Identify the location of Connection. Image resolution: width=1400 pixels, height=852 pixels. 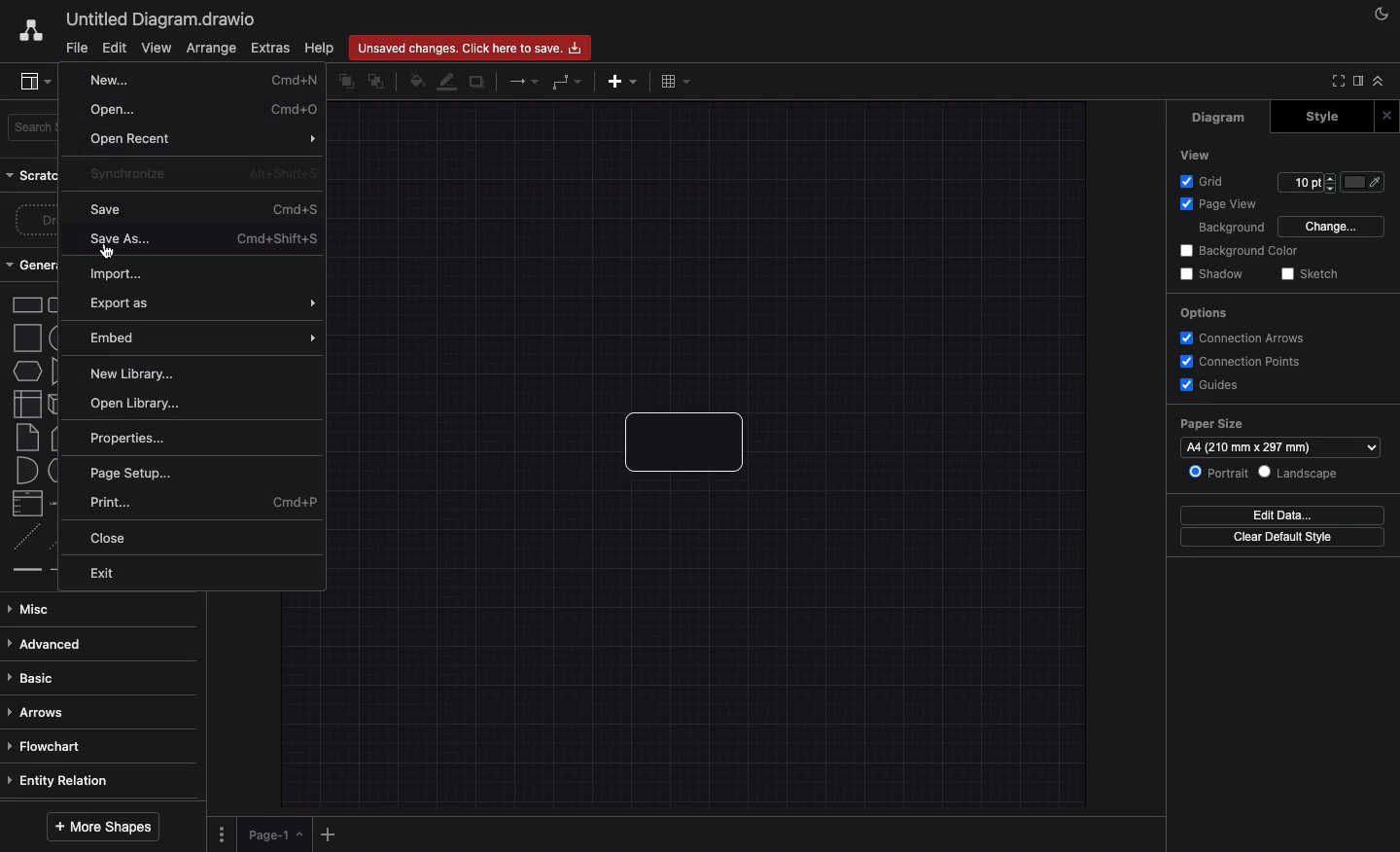
(524, 81).